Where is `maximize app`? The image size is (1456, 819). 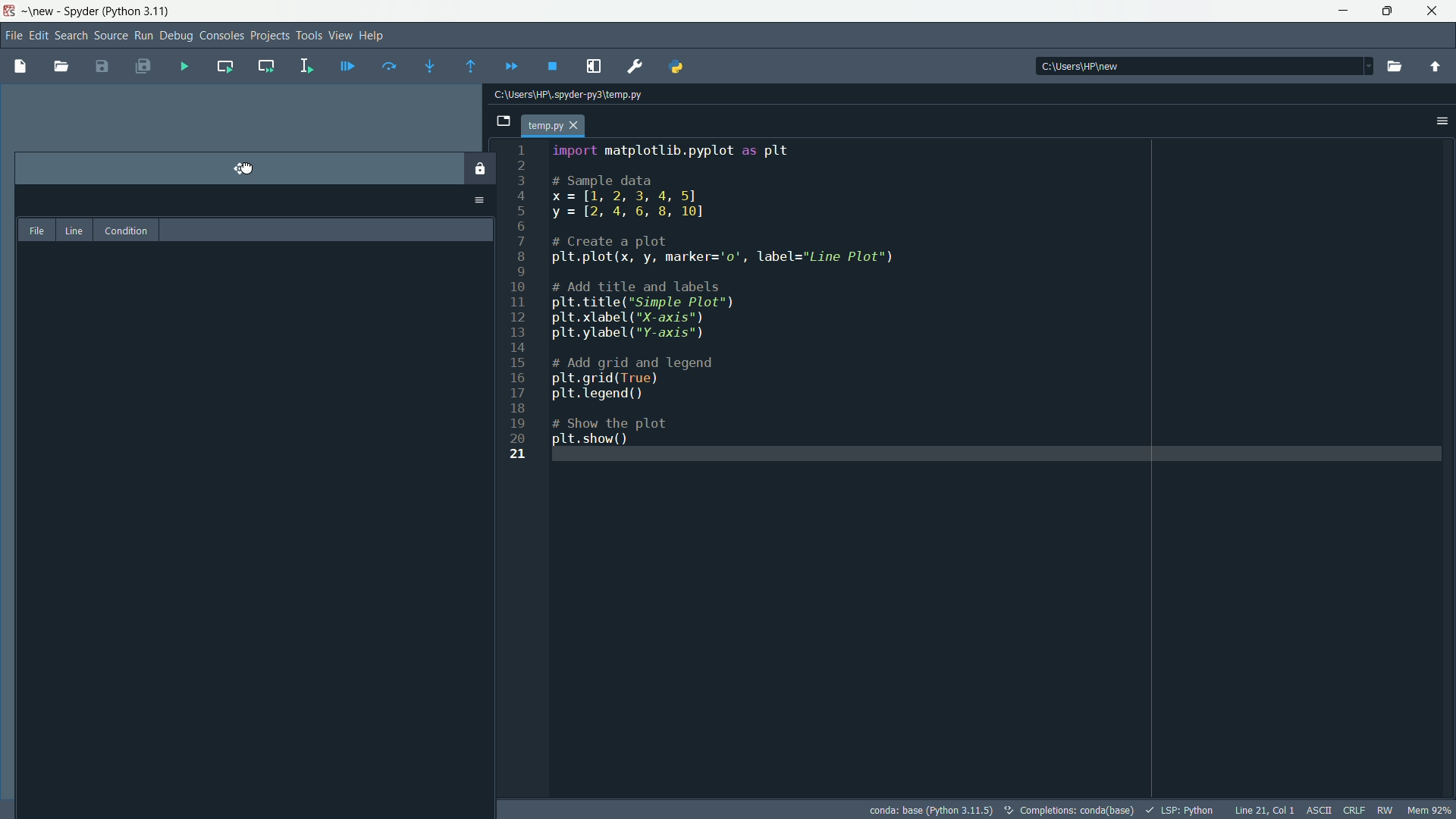
maximize app is located at coordinates (1435, 11).